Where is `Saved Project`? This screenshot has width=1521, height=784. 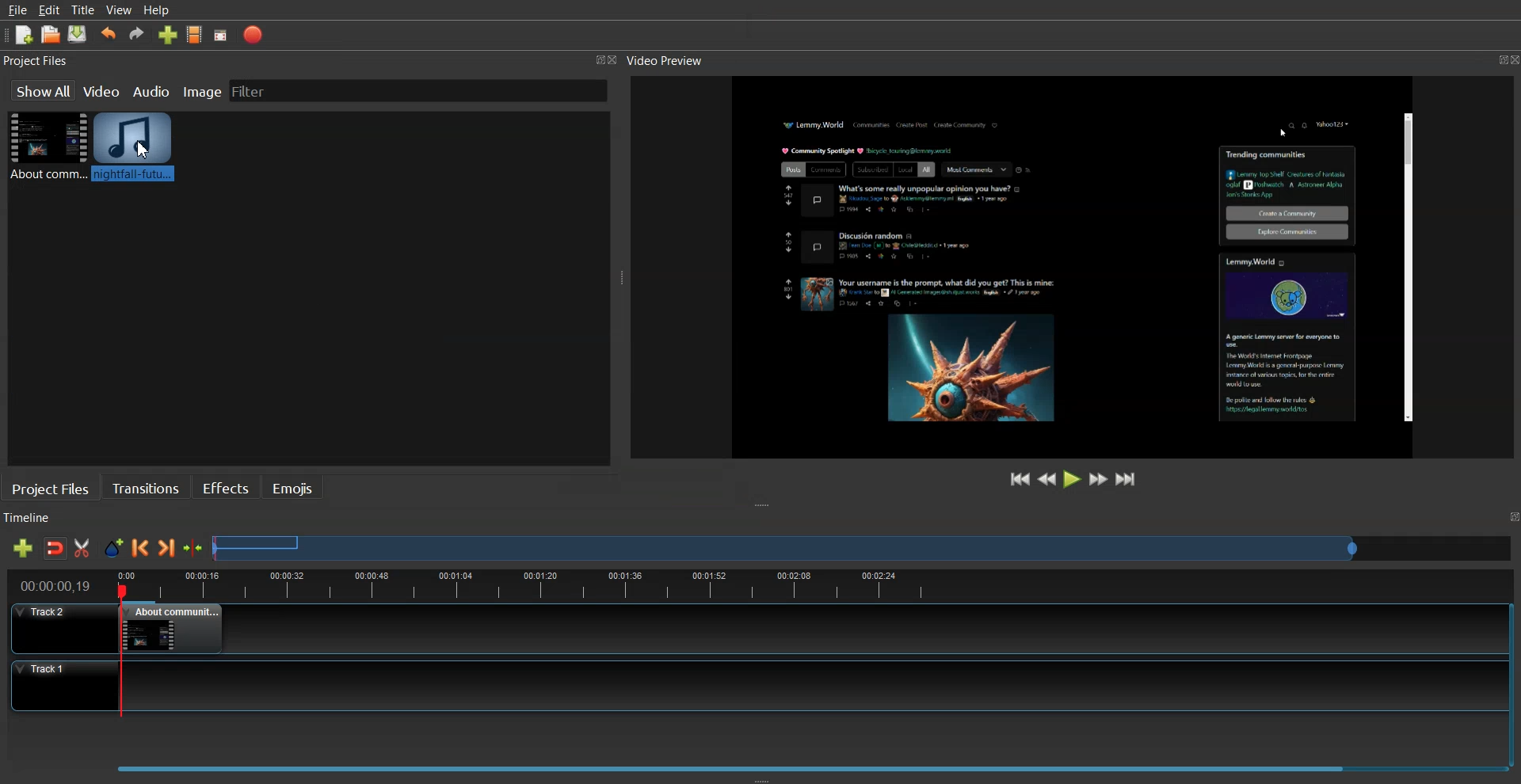 Saved Project is located at coordinates (78, 34).